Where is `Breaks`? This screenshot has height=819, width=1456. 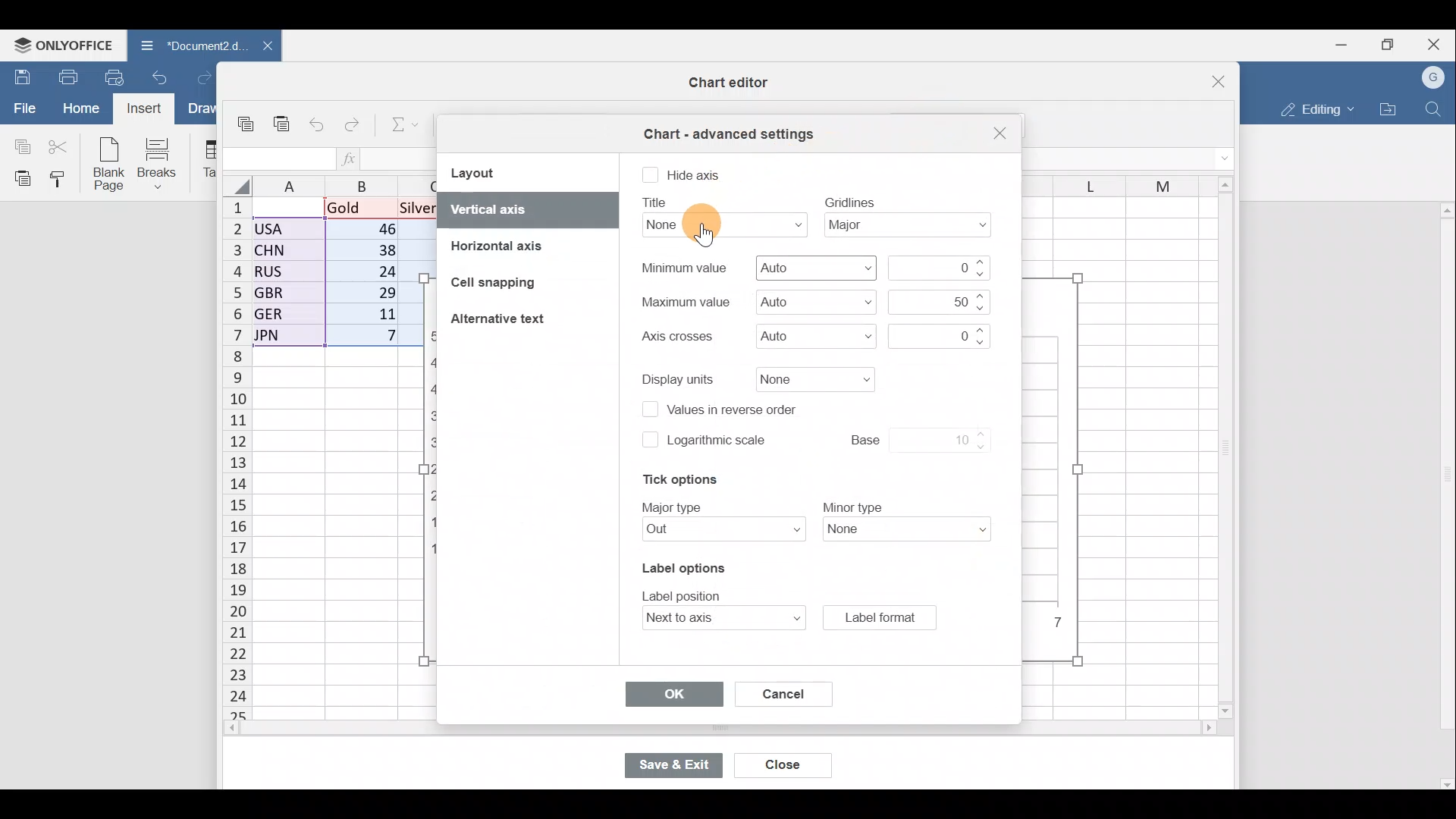 Breaks is located at coordinates (163, 162).